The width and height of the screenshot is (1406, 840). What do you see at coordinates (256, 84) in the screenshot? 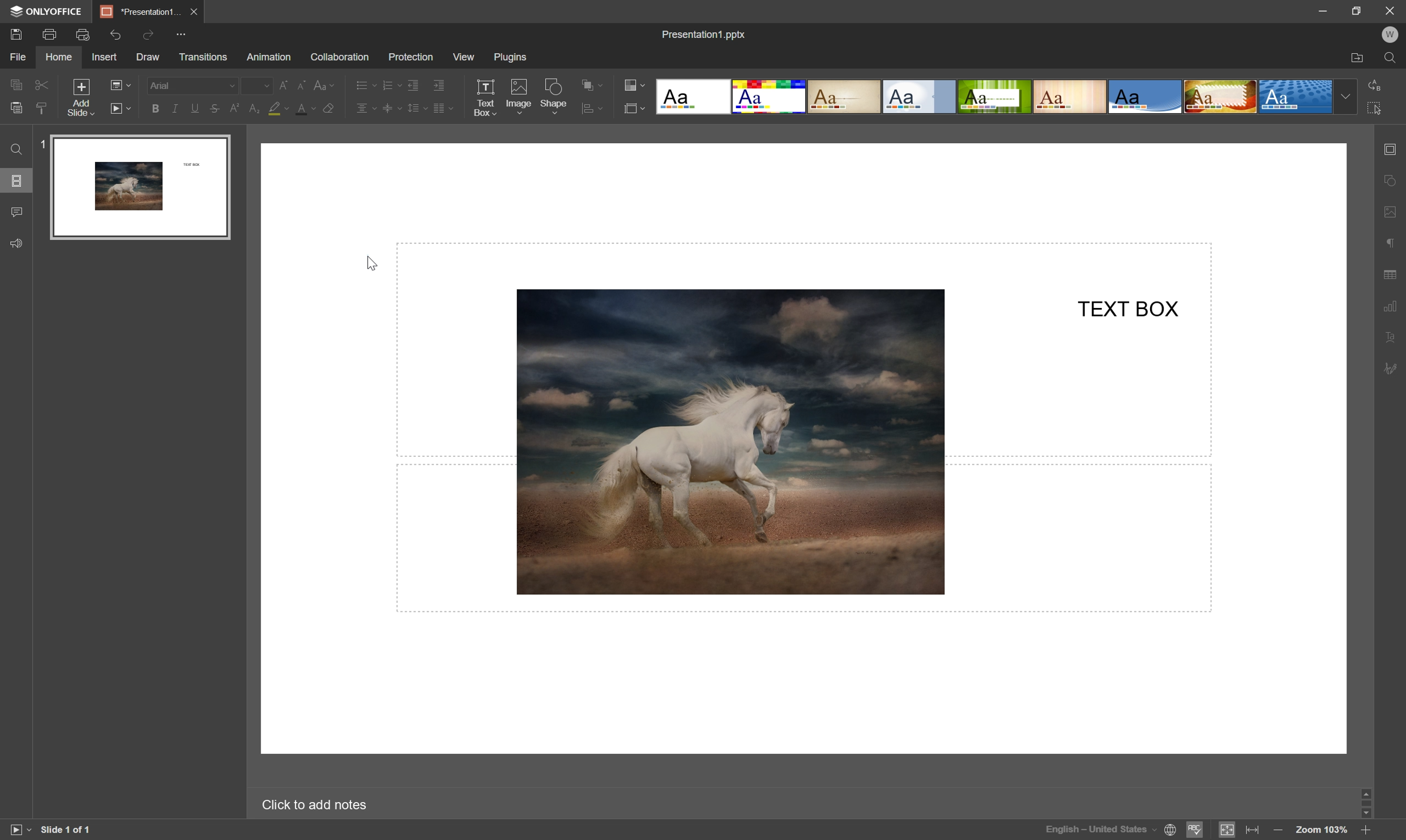
I see `Font size drop down` at bounding box center [256, 84].